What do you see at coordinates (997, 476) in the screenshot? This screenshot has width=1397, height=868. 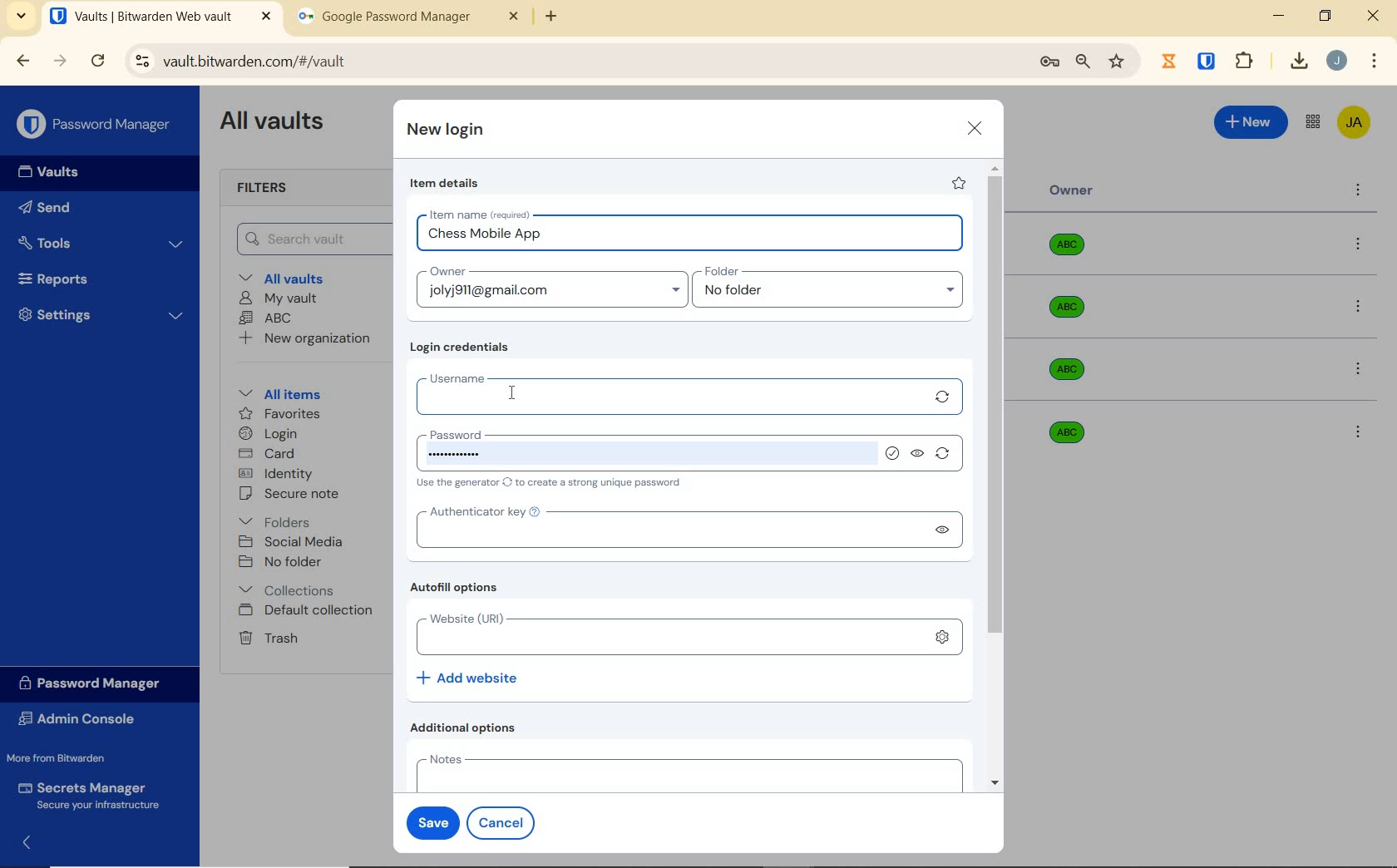 I see `scrollbar` at bounding box center [997, 476].